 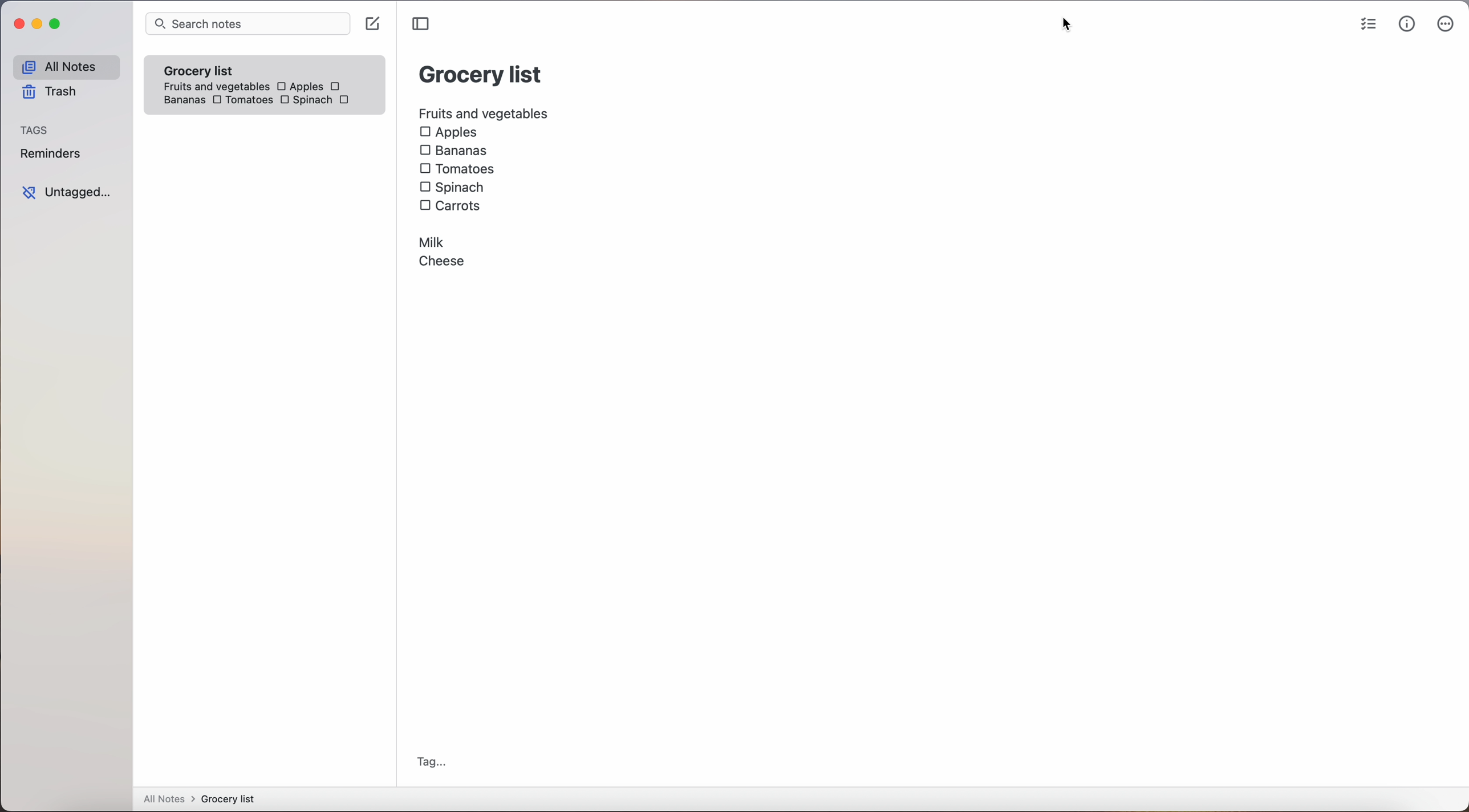 I want to click on toggle sidebar, so click(x=420, y=24).